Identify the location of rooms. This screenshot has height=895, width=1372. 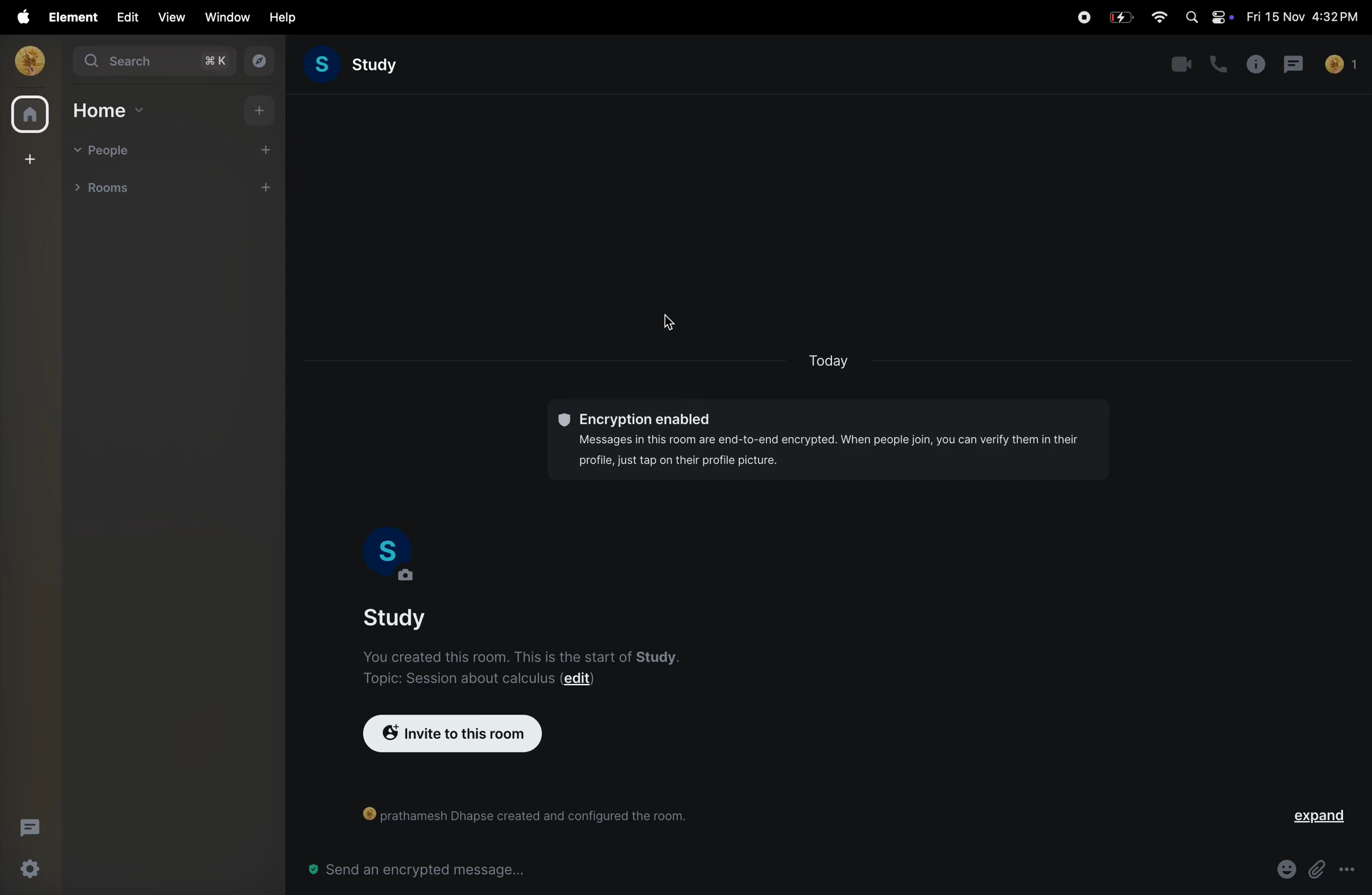
(114, 190).